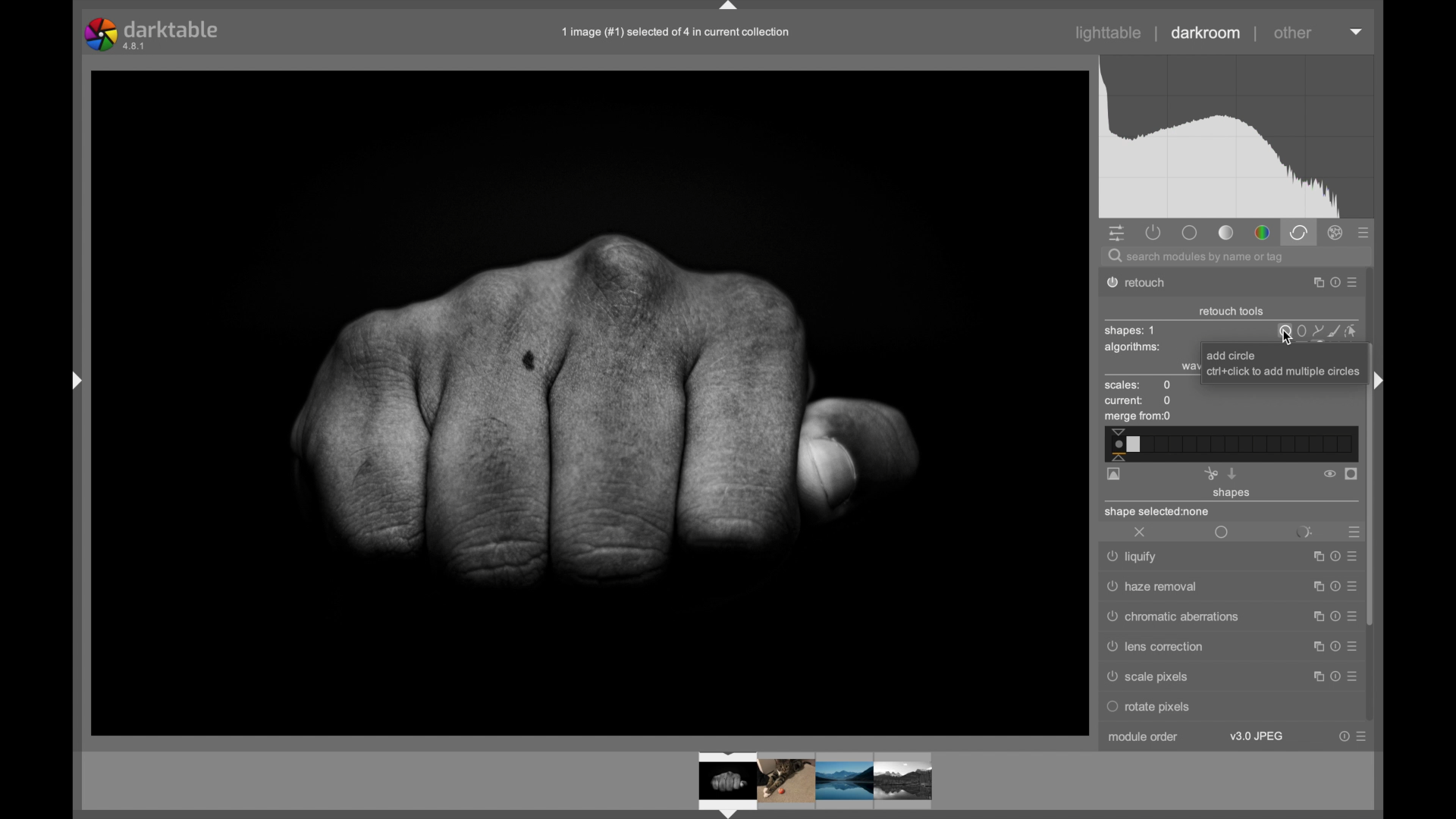  I want to click on maximize, so click(1313, 617).